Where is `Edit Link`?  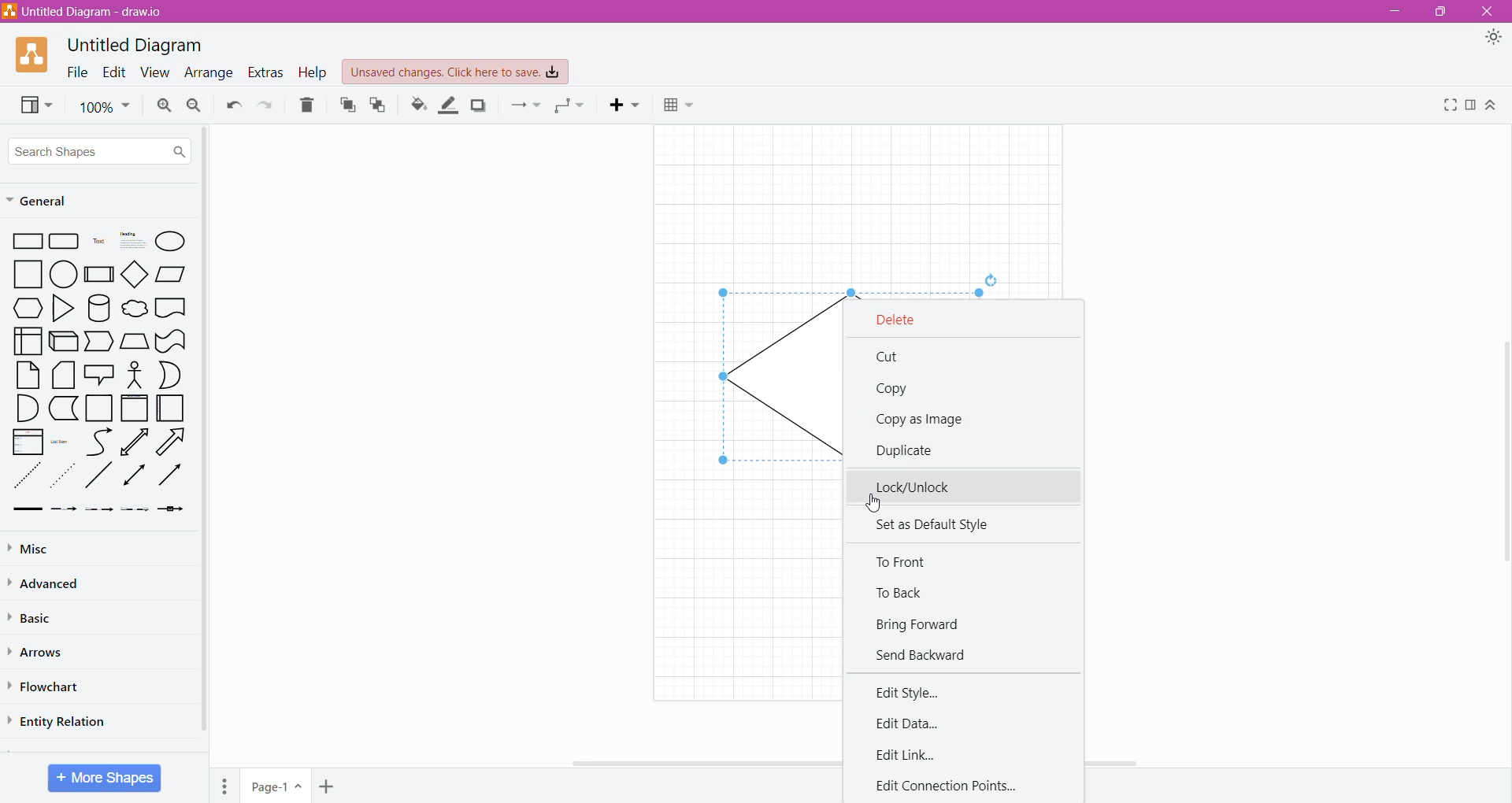 Edit Link is located at coordinates (908, 756).